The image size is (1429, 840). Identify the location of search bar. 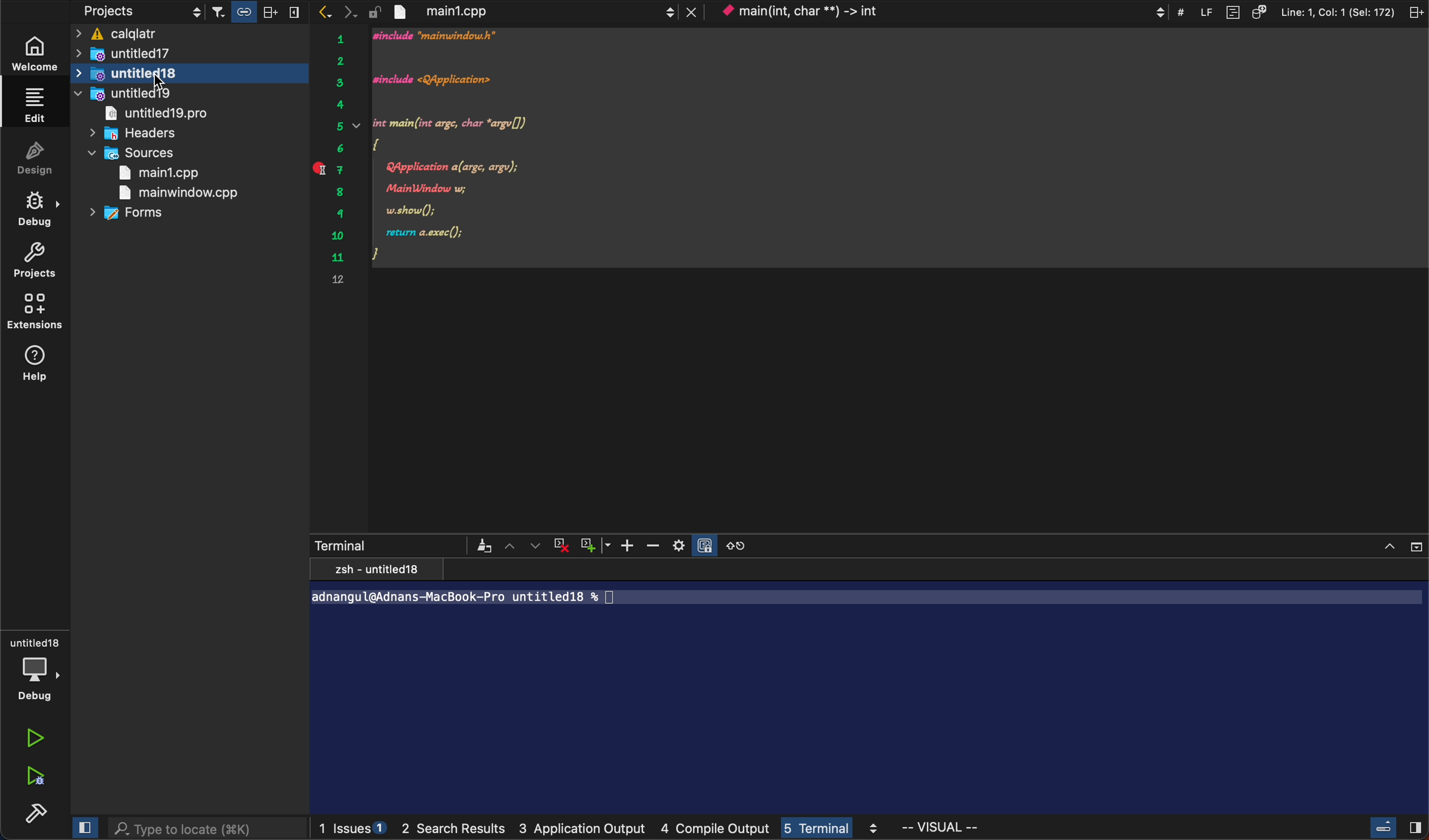
(195, 829).